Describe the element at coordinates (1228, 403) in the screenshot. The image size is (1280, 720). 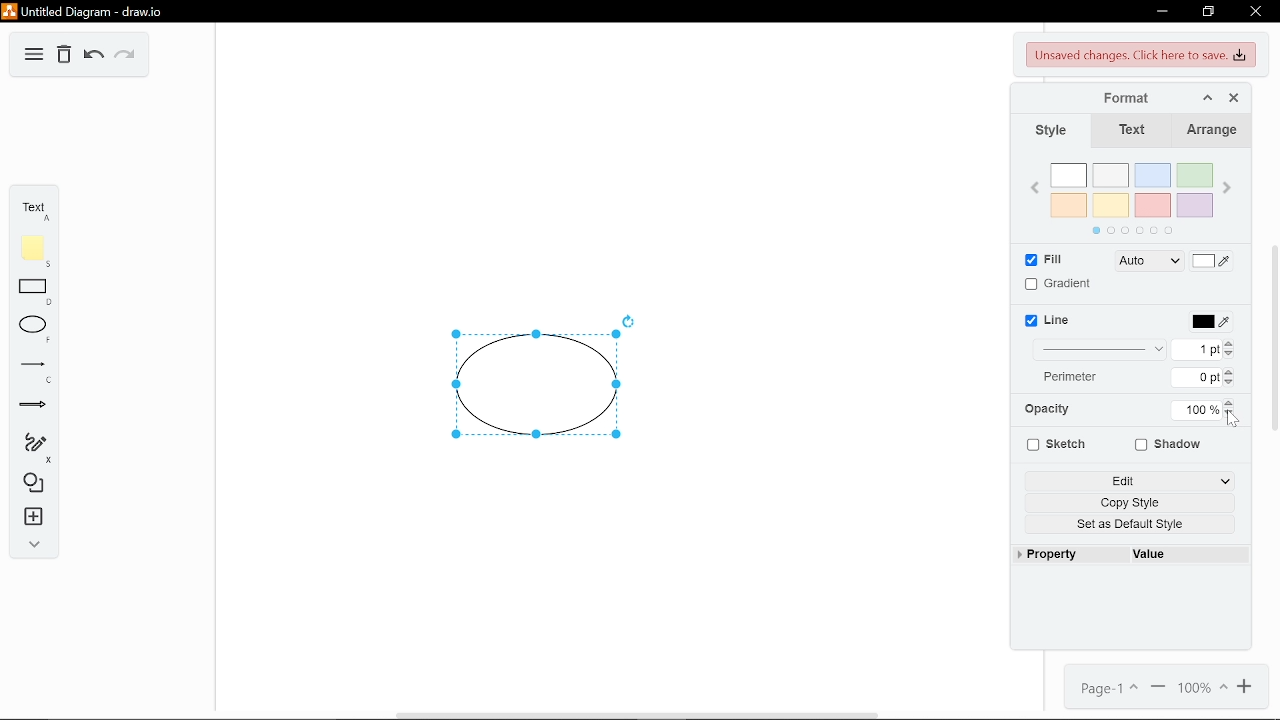
I see `Increase opactiy` at that location.